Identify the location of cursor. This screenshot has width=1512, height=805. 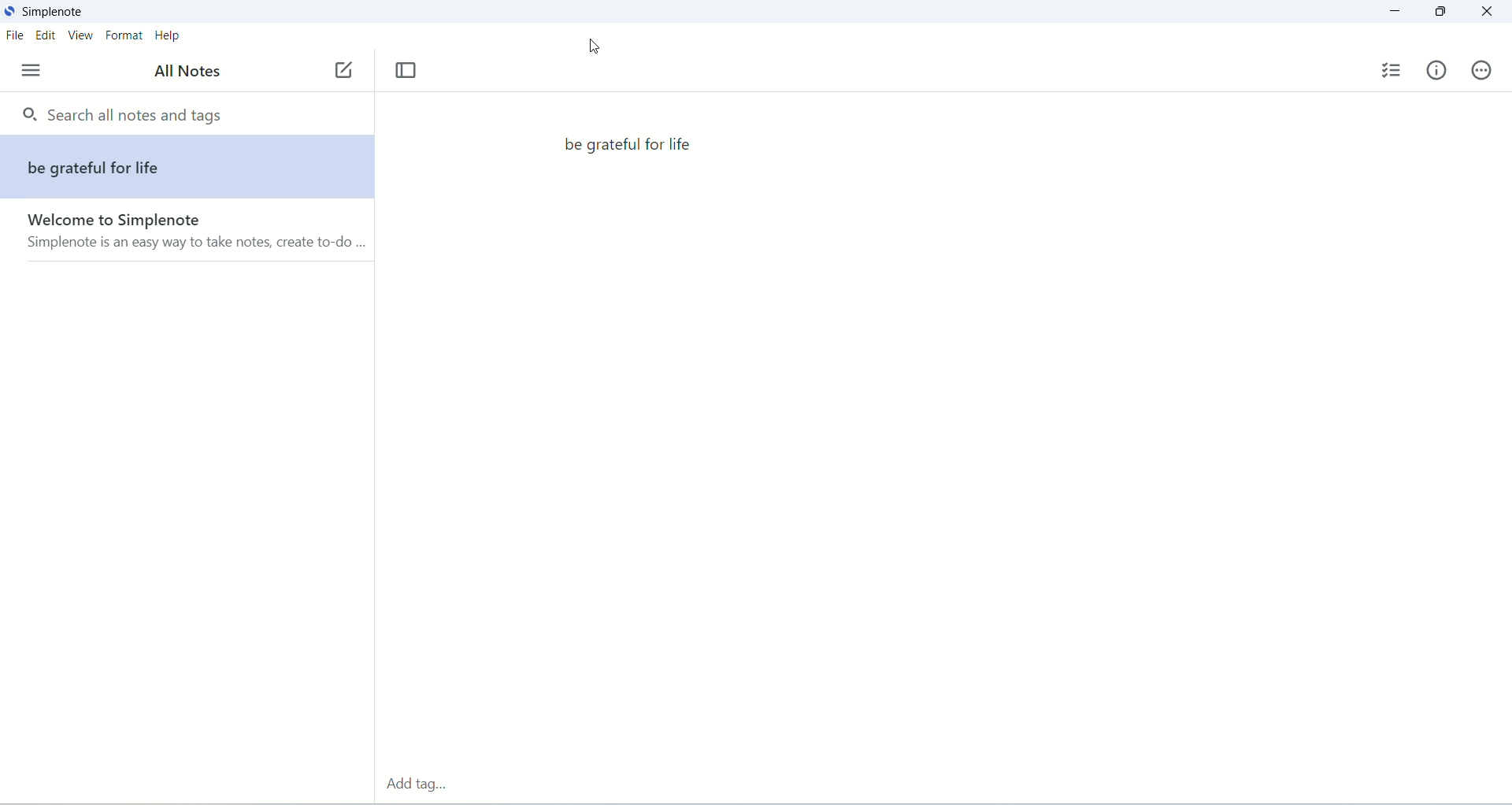
(594, 46).